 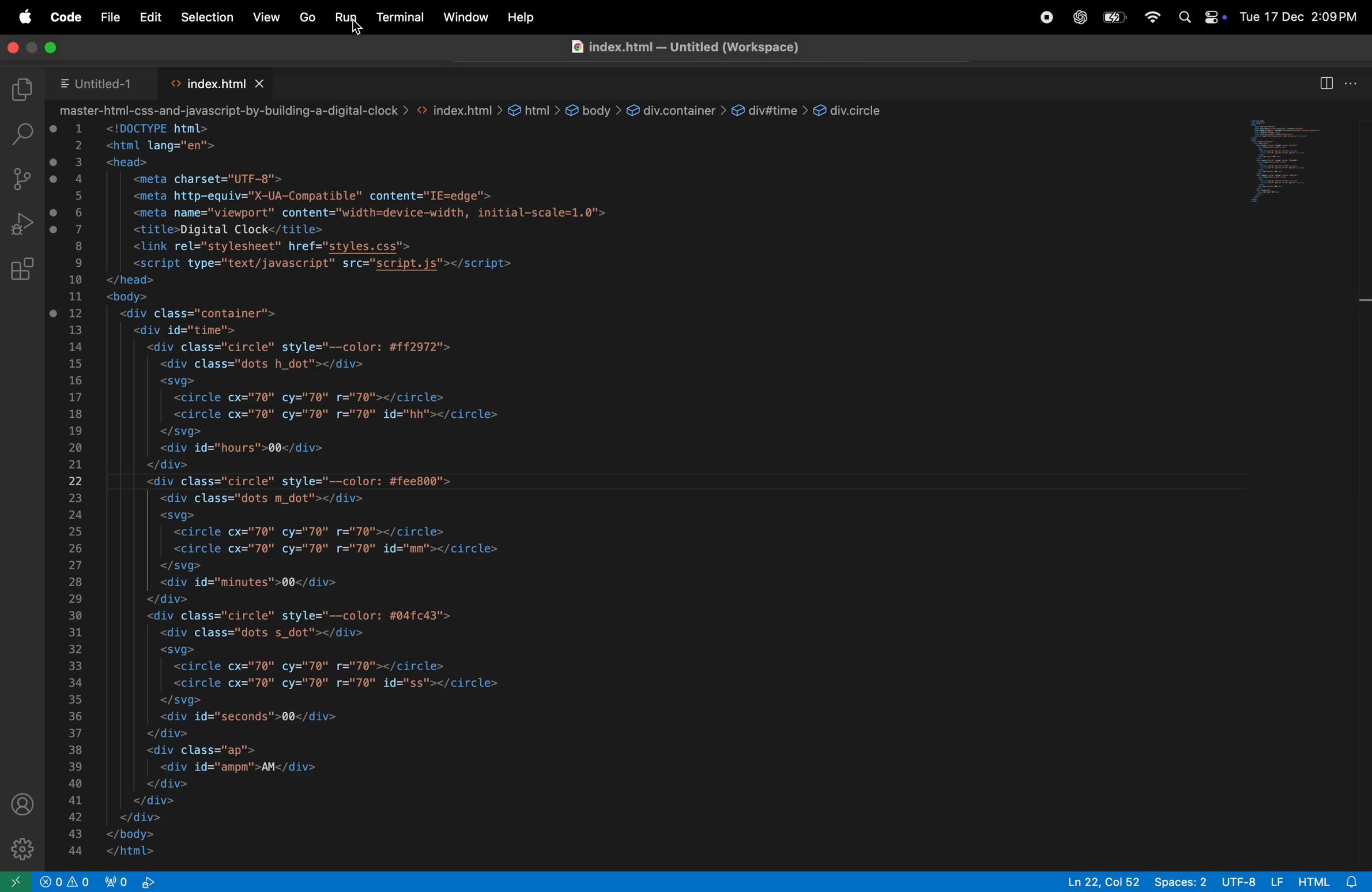 I want to click on no live ports forwarded, so click(x=150, y=882).